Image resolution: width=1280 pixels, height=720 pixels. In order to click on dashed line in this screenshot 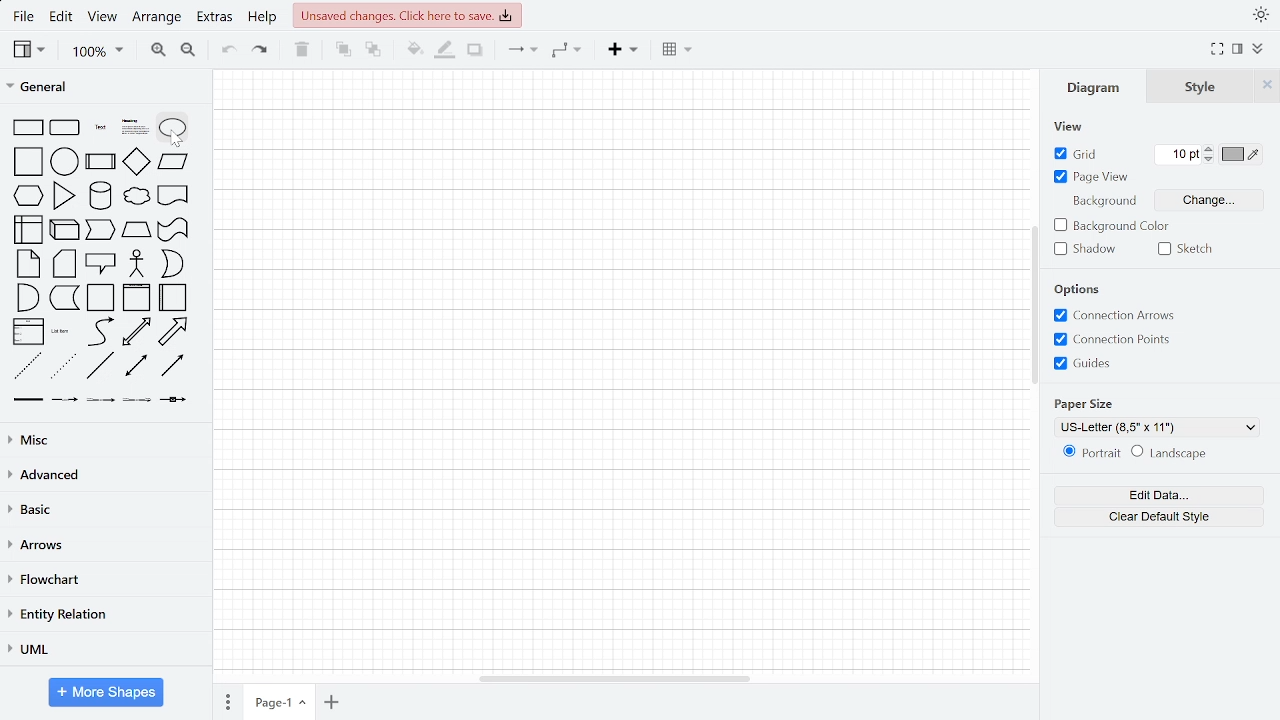, I will do `click(26, 365)`.